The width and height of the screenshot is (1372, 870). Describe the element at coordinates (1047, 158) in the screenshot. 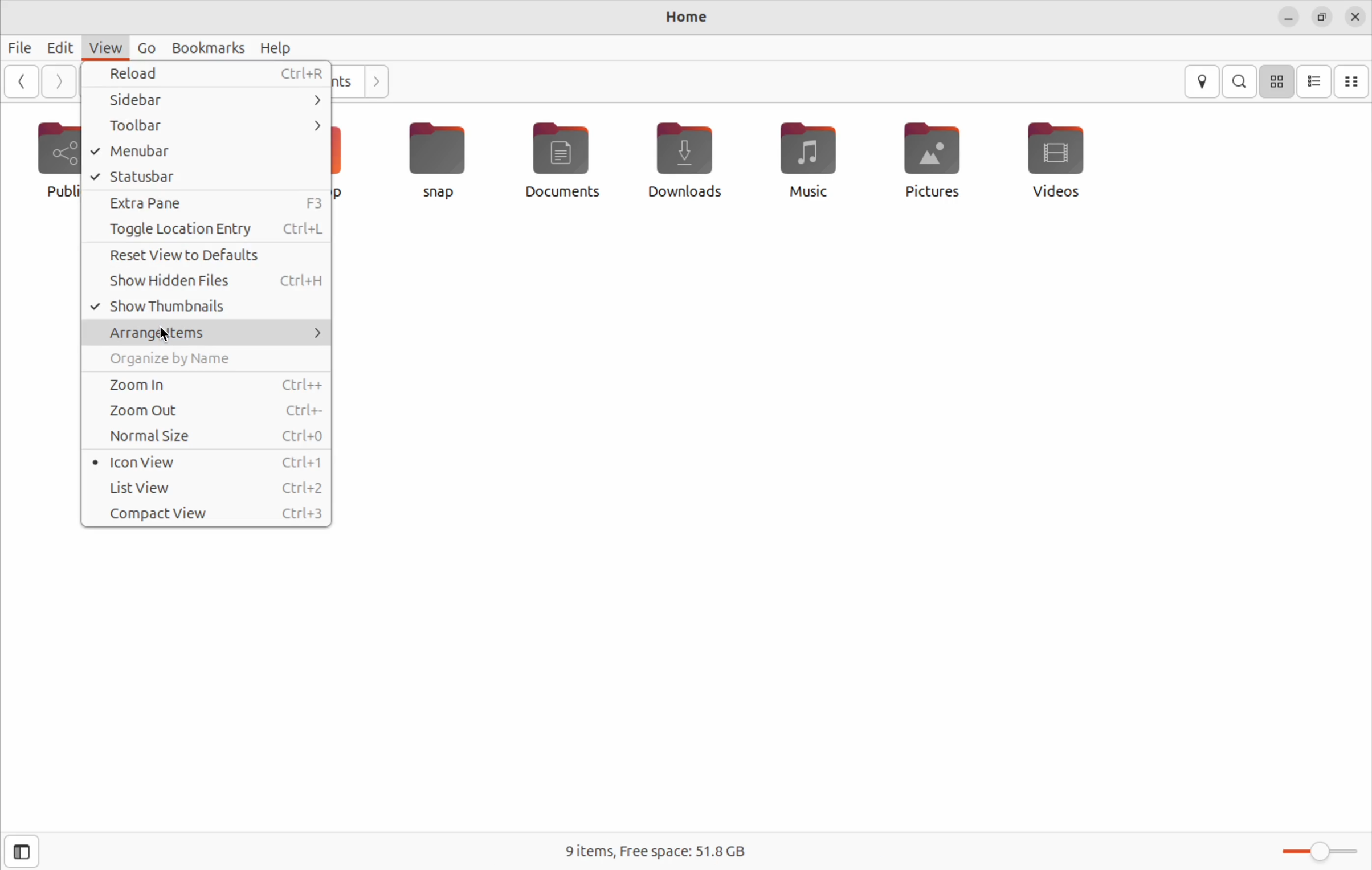

I see `vidoes` at that location.